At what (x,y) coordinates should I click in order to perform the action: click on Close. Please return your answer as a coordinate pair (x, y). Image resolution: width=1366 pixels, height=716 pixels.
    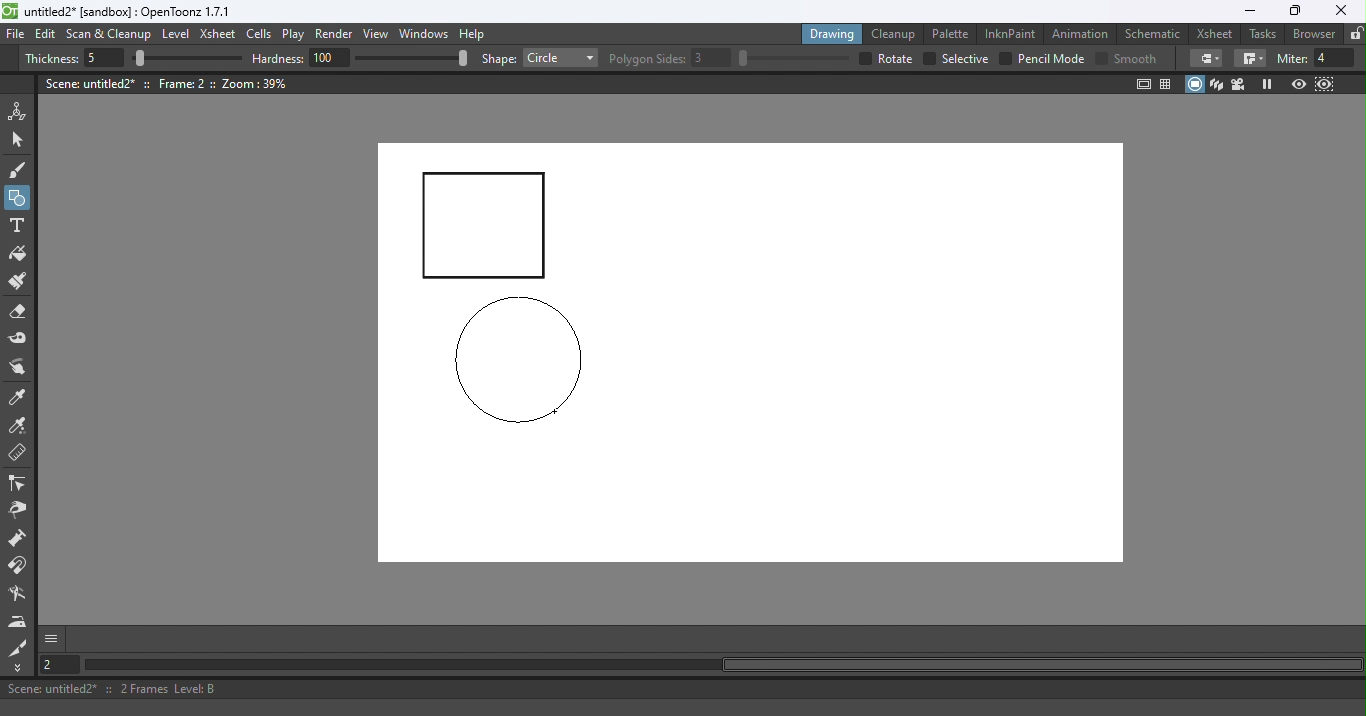
    Looking at the image, I should click on (1340, 11).